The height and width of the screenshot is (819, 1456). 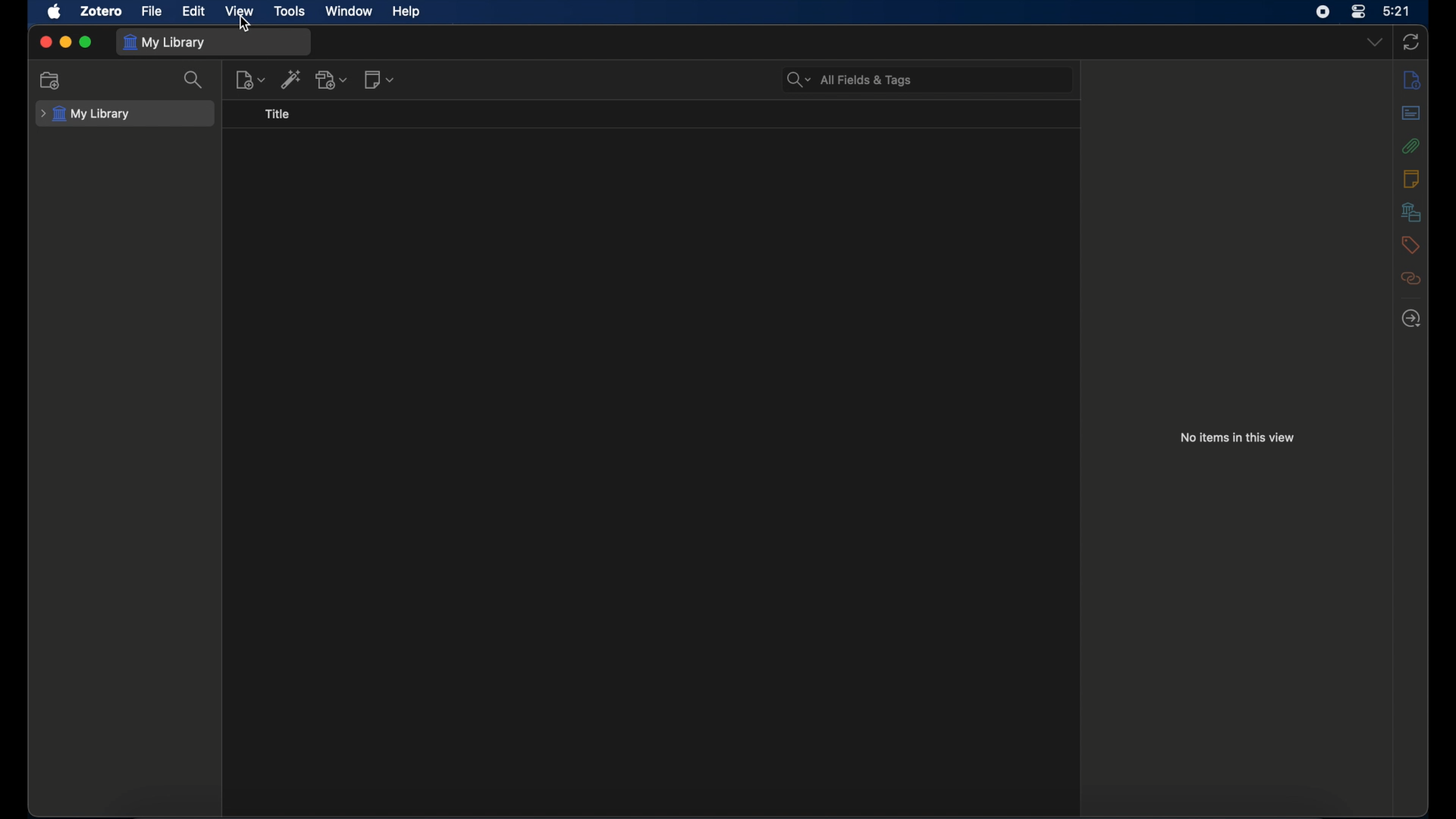 I want to click on view, so click(x=238, y=11).